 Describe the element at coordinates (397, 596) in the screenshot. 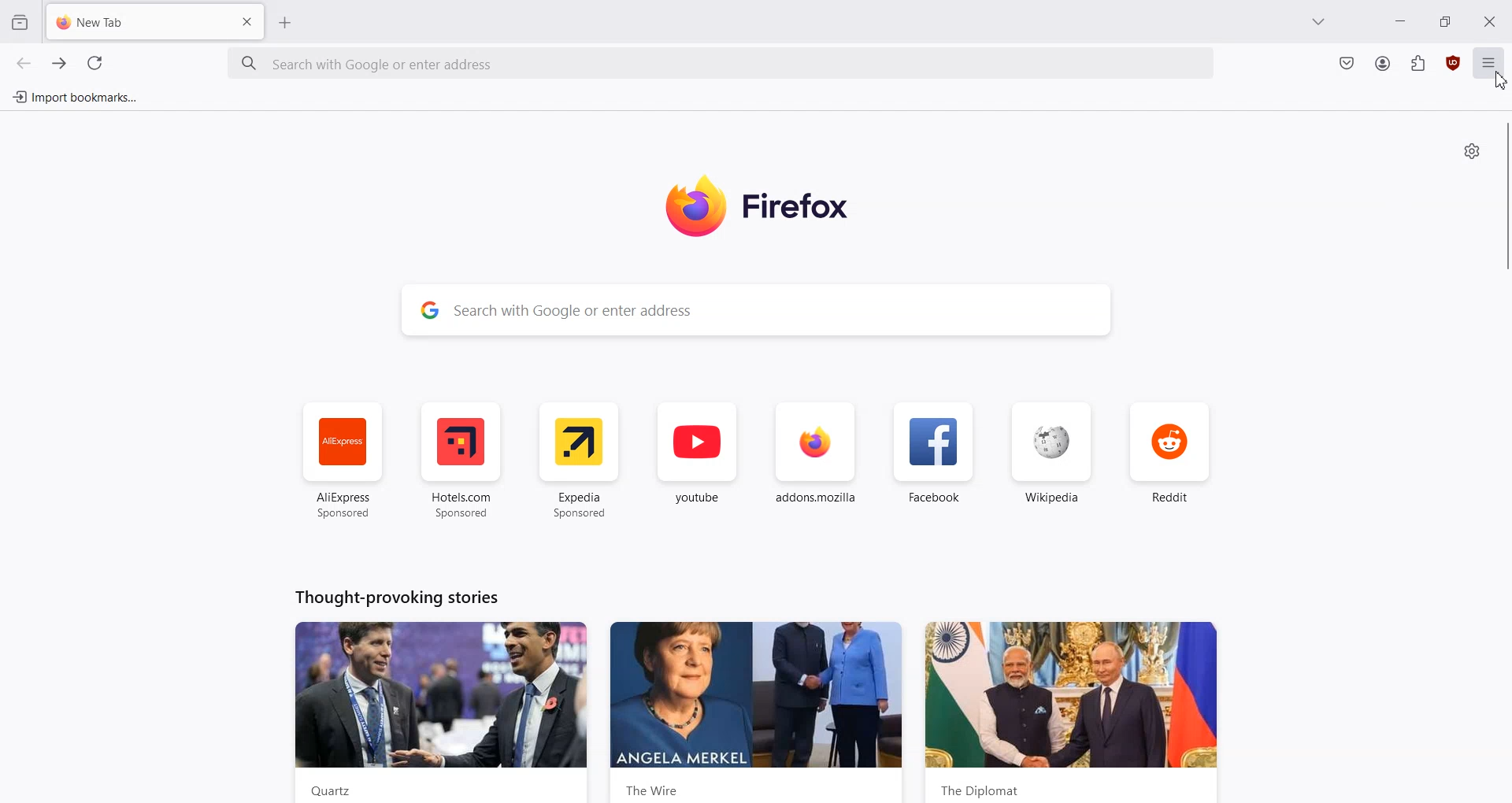

I see `Text` at that location.